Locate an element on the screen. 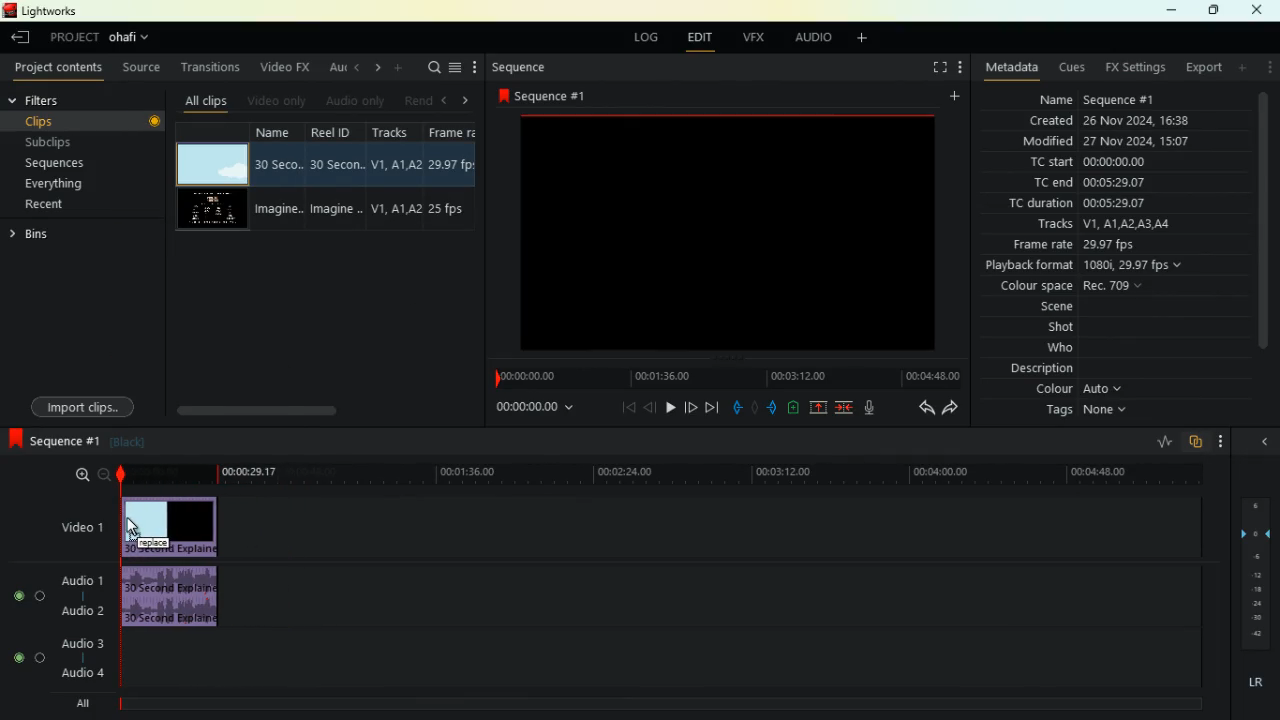  log is located at coordinates (640, 37).